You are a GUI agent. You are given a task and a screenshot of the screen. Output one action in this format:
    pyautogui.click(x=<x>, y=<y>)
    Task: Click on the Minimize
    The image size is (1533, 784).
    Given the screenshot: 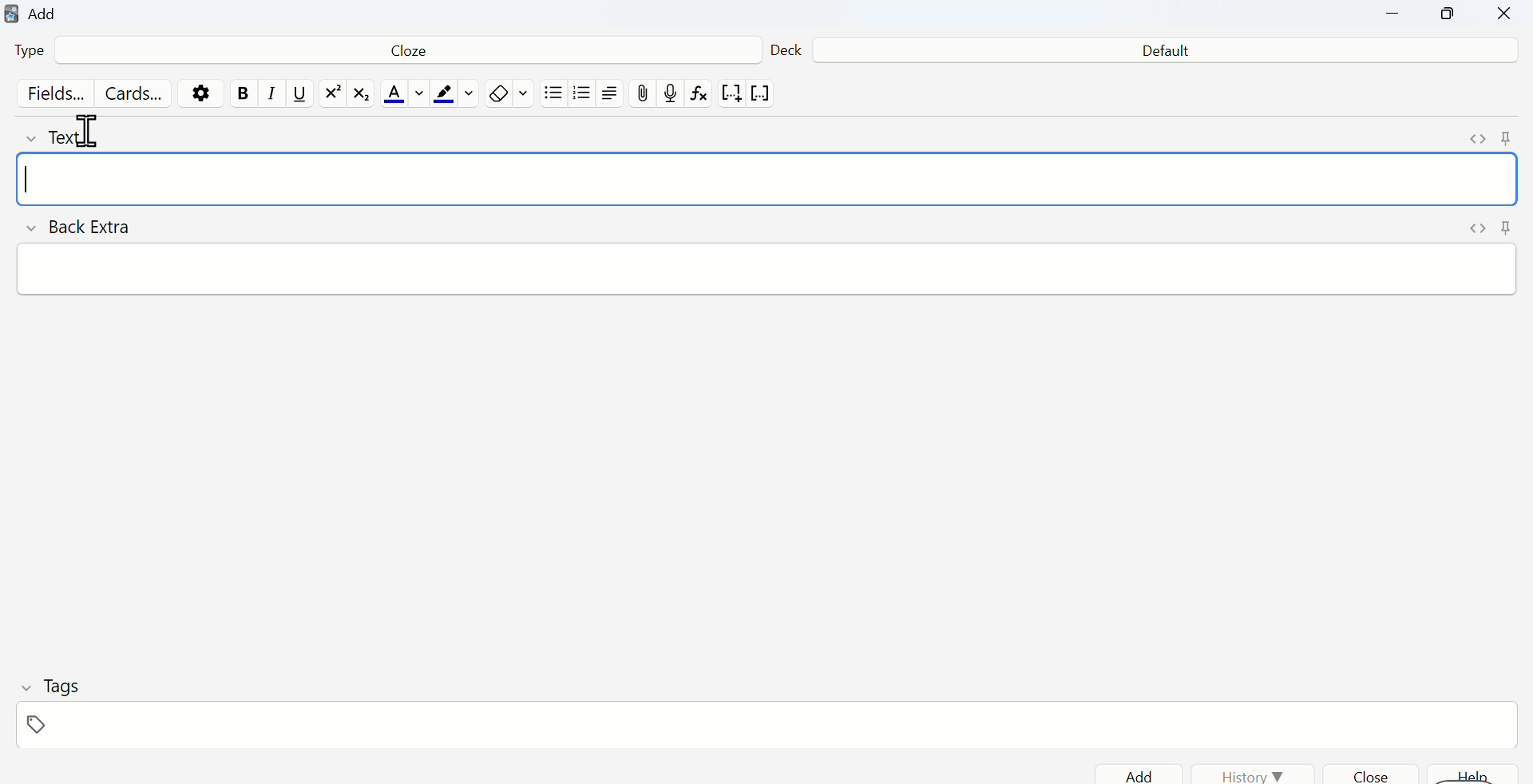 What is the action you would take?
    pyautogui.click(x=1401, y=17)
    